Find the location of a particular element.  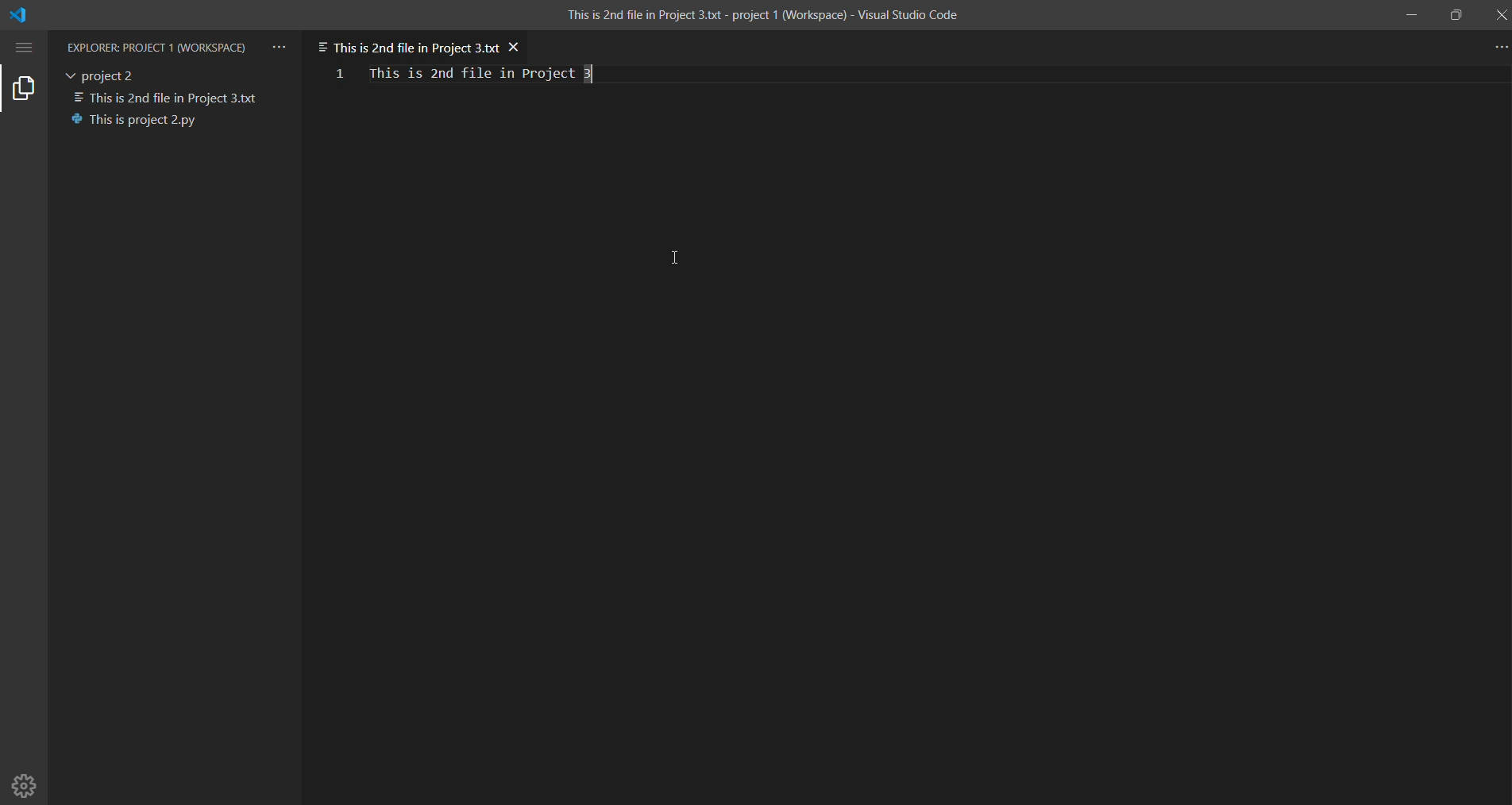

This is 2nd file in Project 3.txt is located at coordinates (407, 44).